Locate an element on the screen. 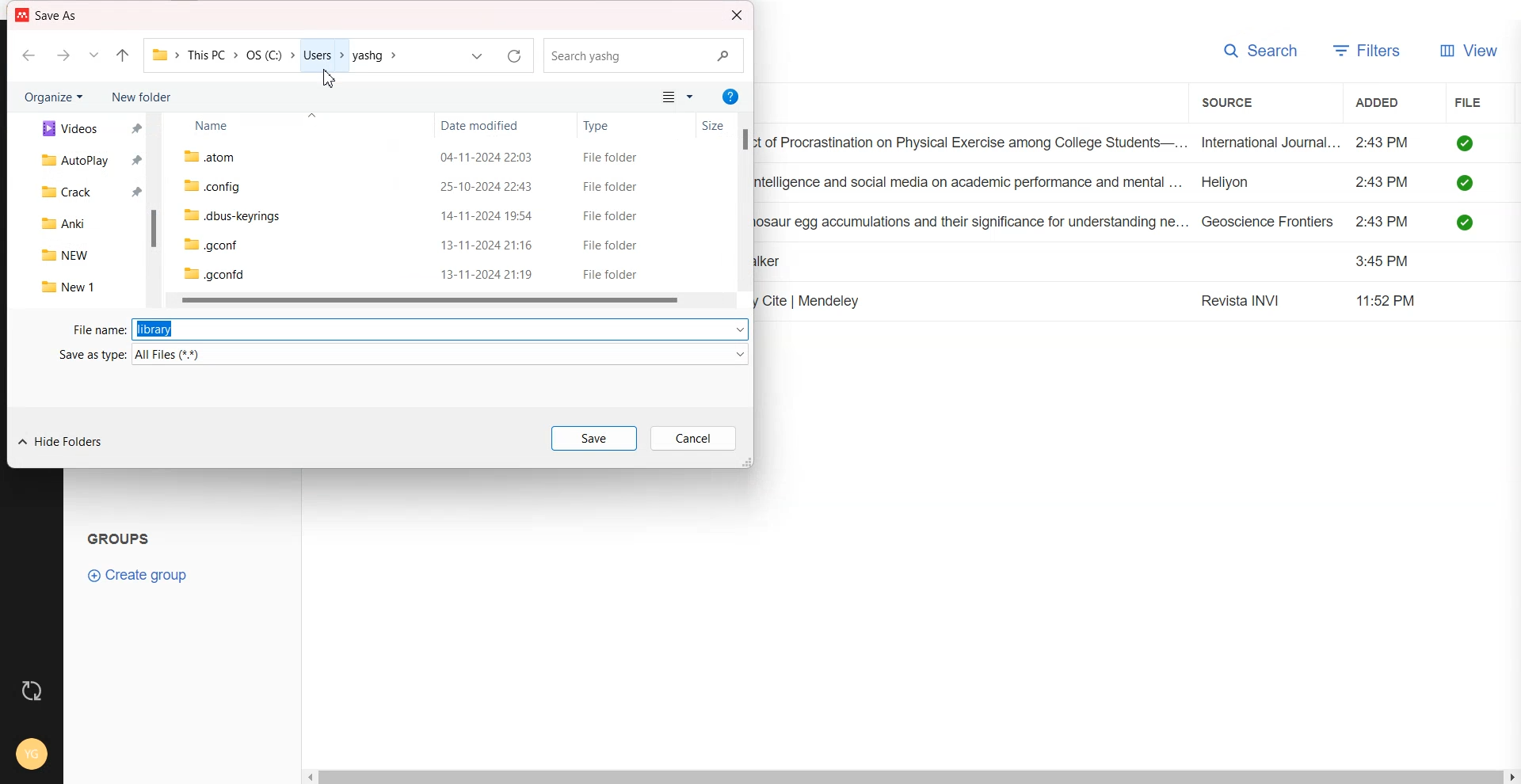  .gconf is located at coordinates (212, 243).